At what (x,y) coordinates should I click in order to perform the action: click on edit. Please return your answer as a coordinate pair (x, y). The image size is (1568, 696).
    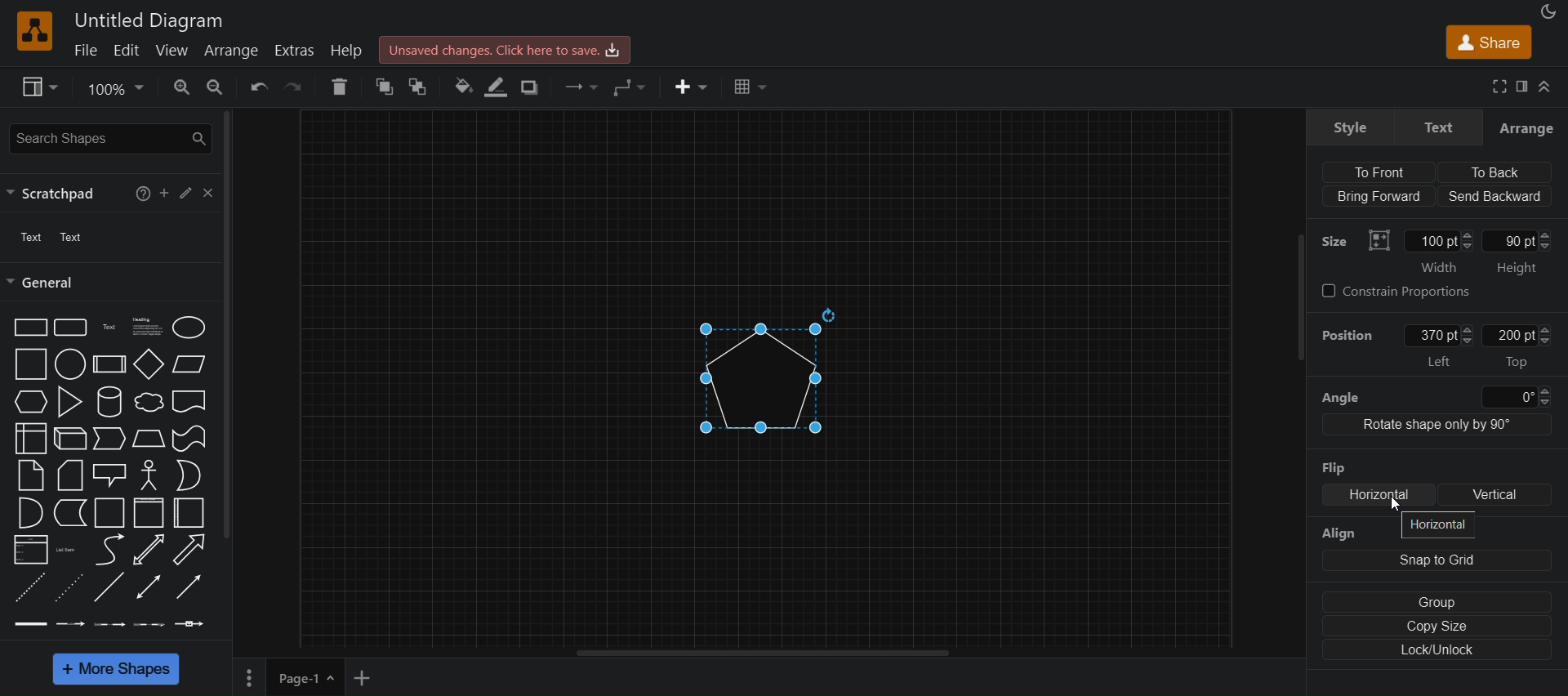
    Looking at the image, I should click on (186, 193).